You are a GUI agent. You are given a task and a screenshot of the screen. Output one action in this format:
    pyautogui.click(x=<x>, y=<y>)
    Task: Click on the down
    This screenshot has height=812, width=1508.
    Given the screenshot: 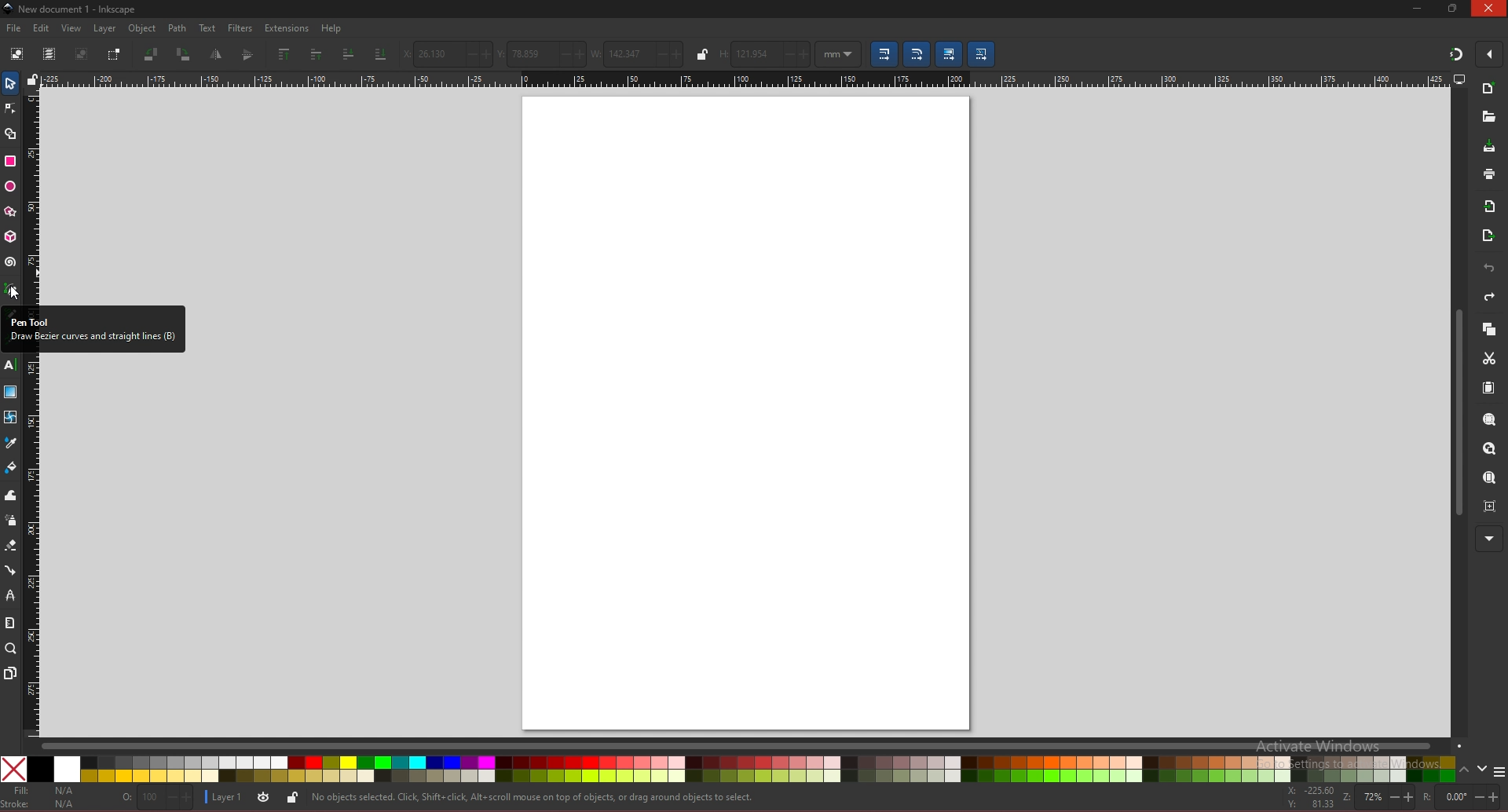 What is the action you would take?
    pyautogui.click(x=1483, y=769)
    